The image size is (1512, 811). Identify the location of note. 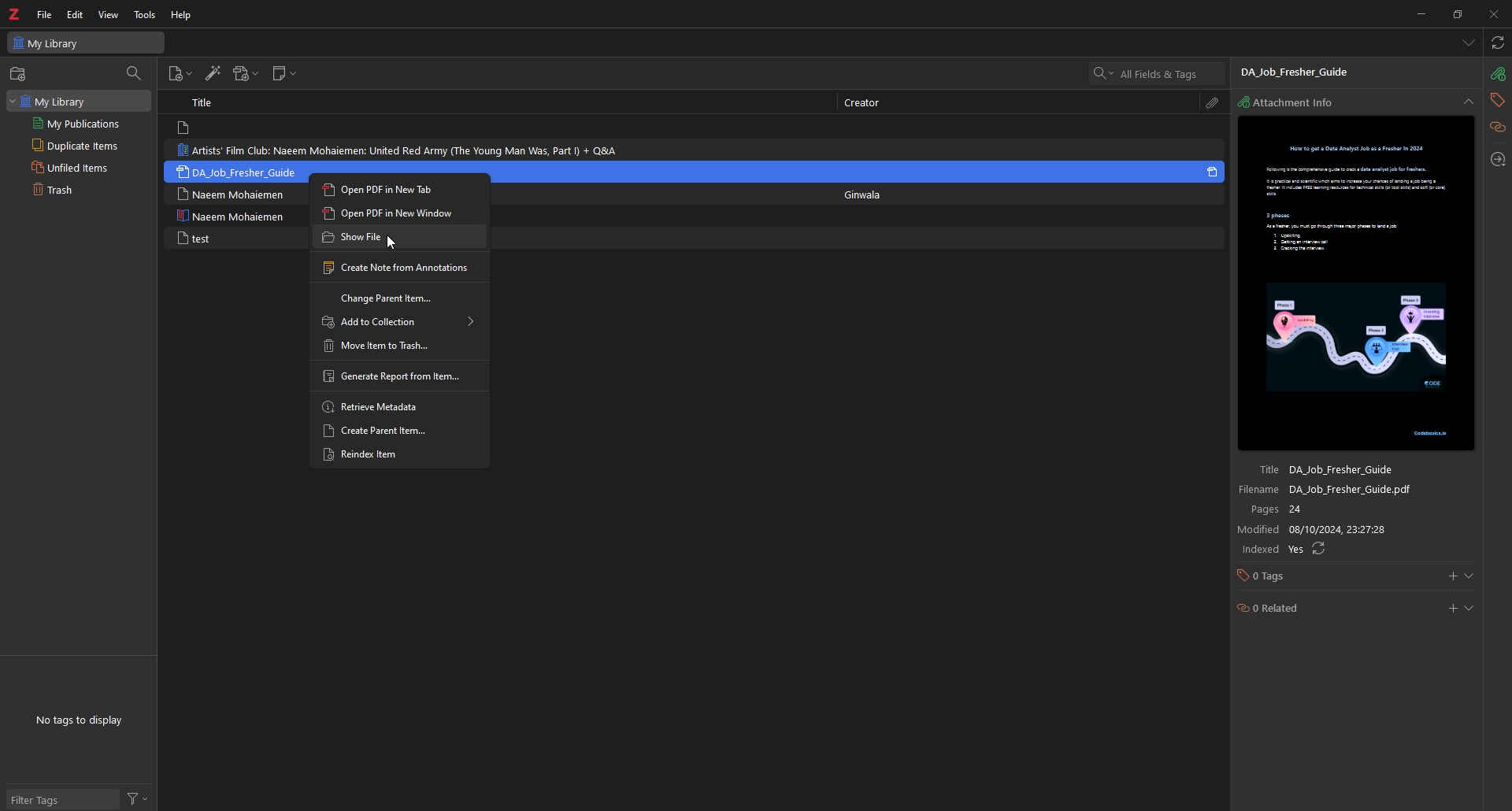
(235, 214).